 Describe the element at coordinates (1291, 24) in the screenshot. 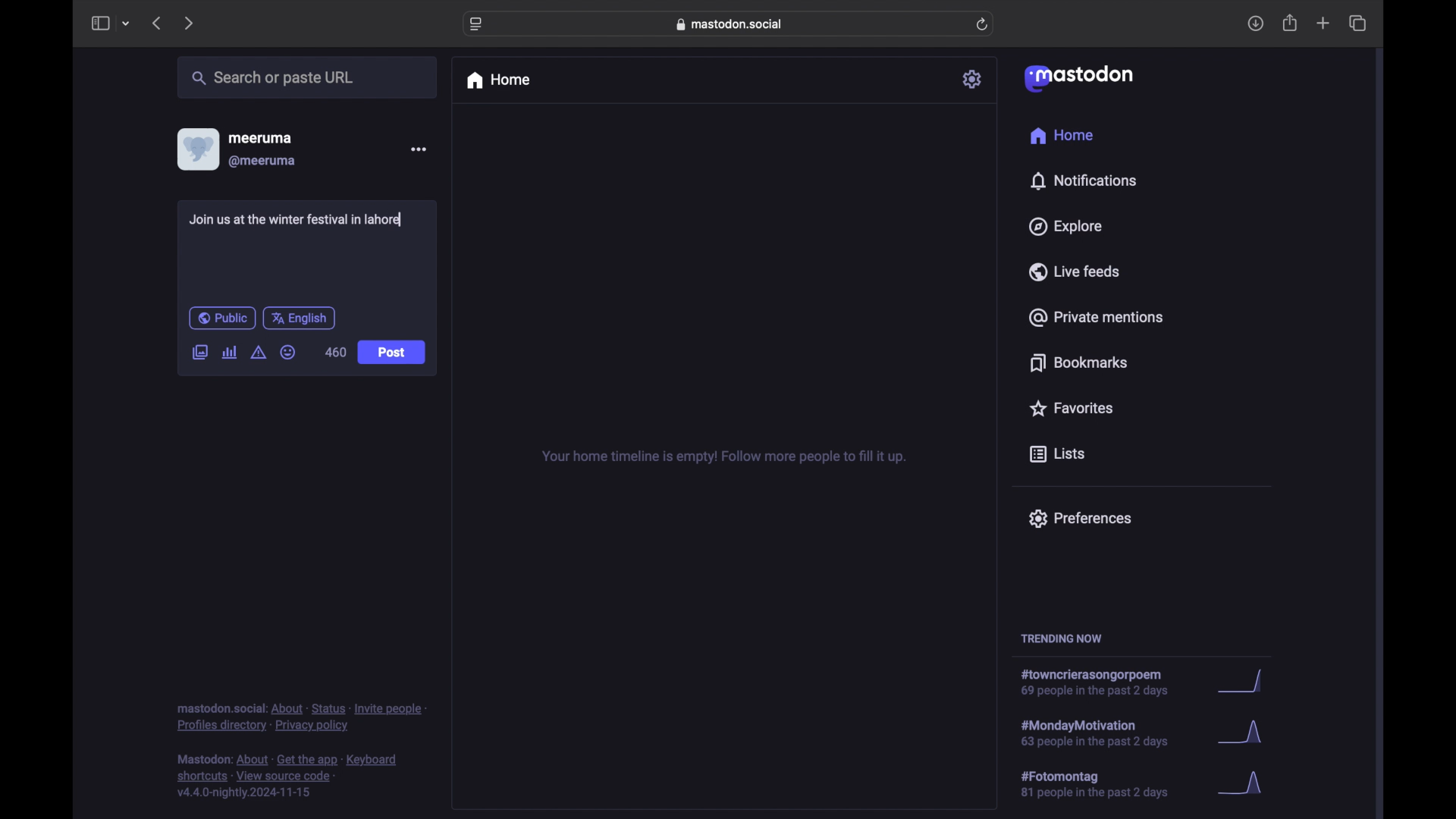

I see `share` at that location.